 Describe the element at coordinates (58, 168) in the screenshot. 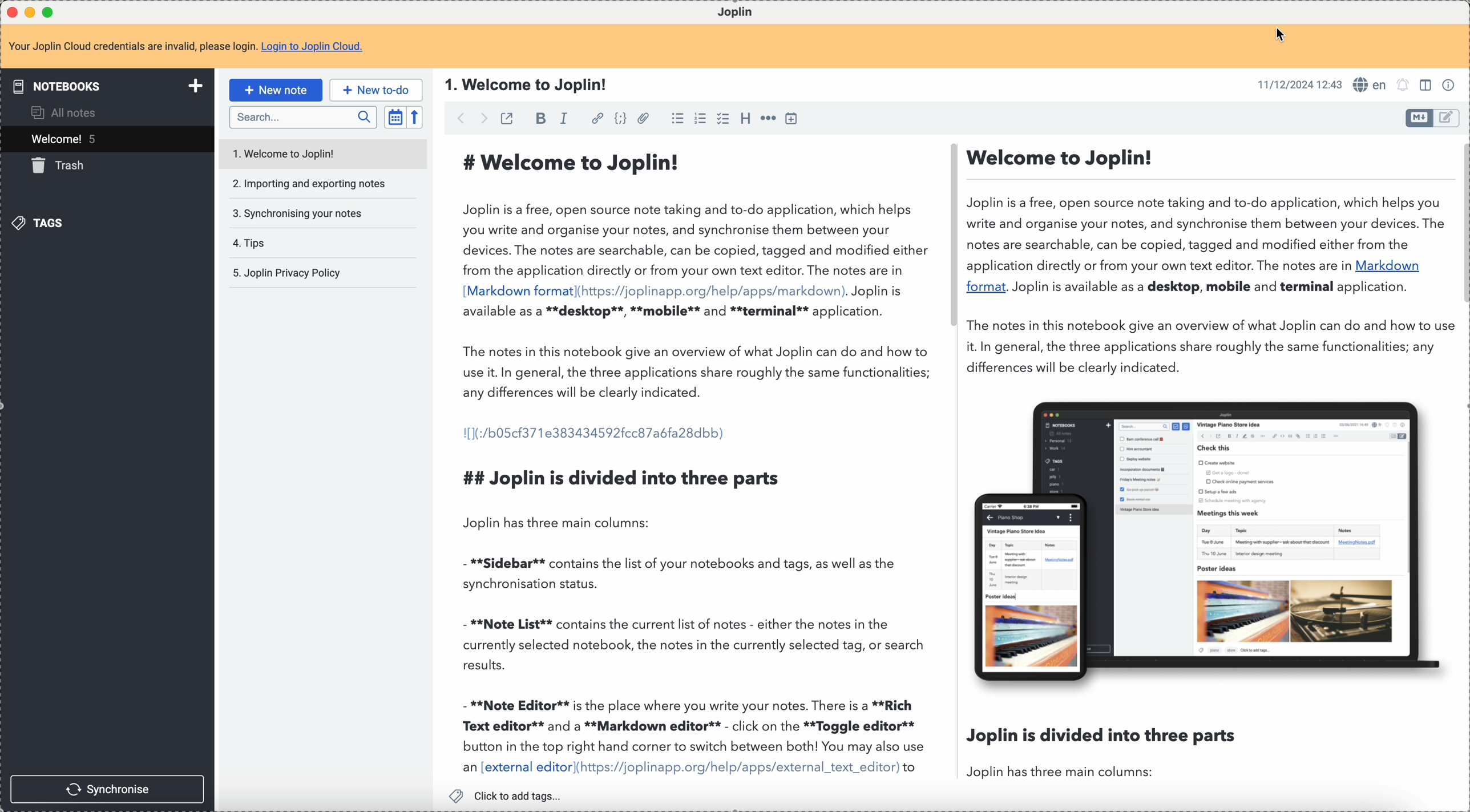

I see `trash` at that location.